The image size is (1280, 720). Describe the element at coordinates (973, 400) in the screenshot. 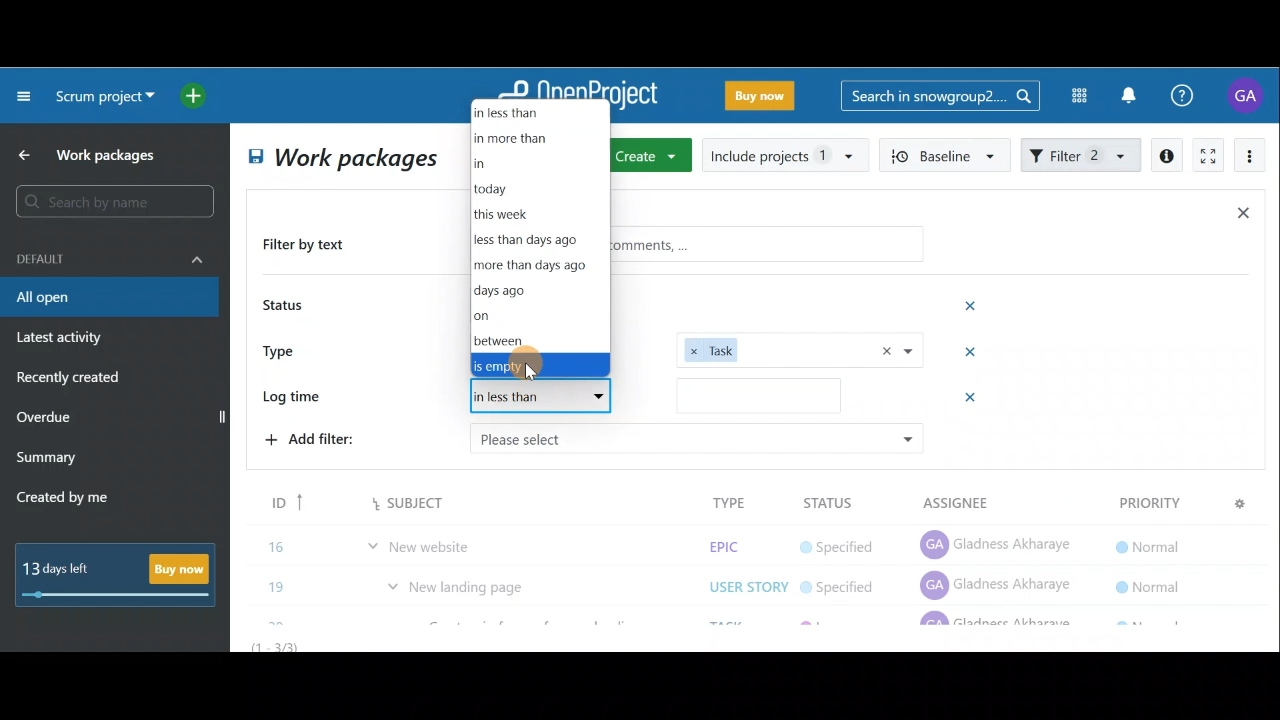

I see `remove` at that location.